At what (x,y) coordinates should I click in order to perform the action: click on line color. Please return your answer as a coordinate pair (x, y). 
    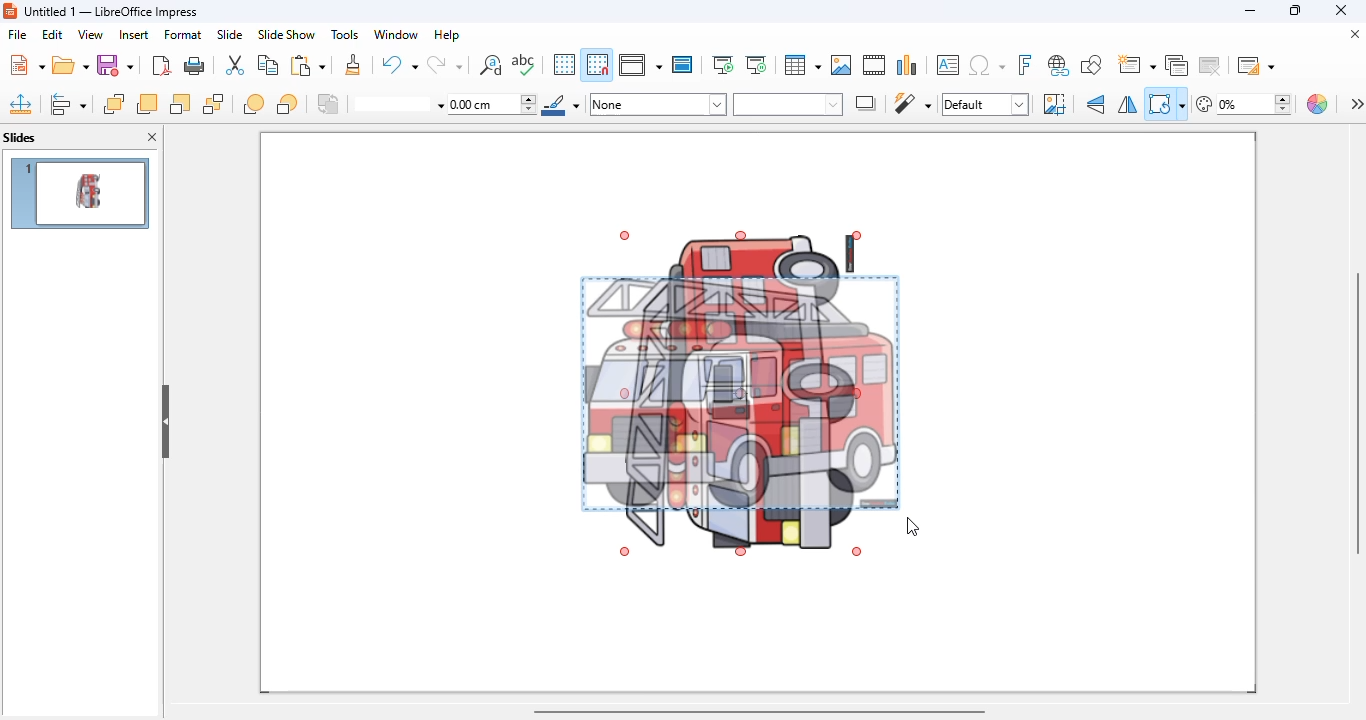
    Looking at the image, I should click on (561, 104).